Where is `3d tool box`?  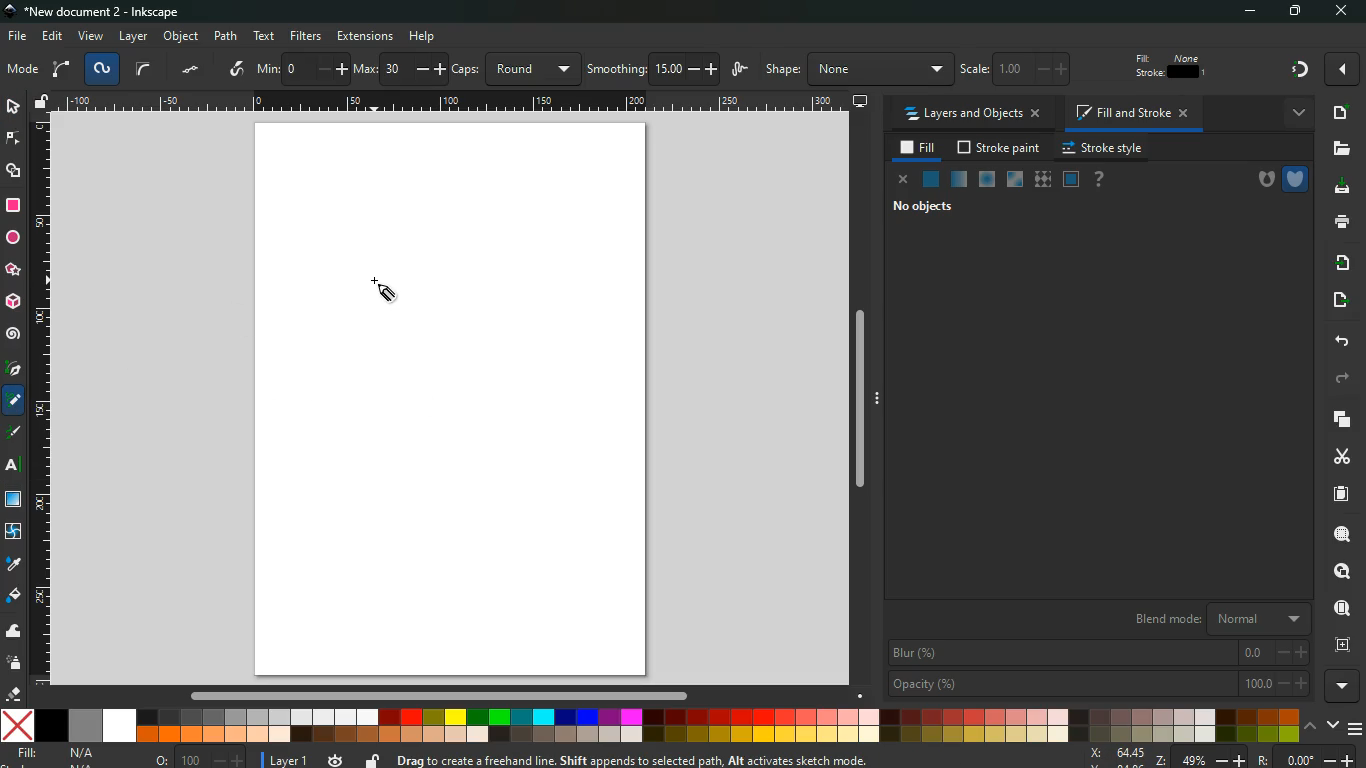 3d tool box is located at coordinates (12, 300).